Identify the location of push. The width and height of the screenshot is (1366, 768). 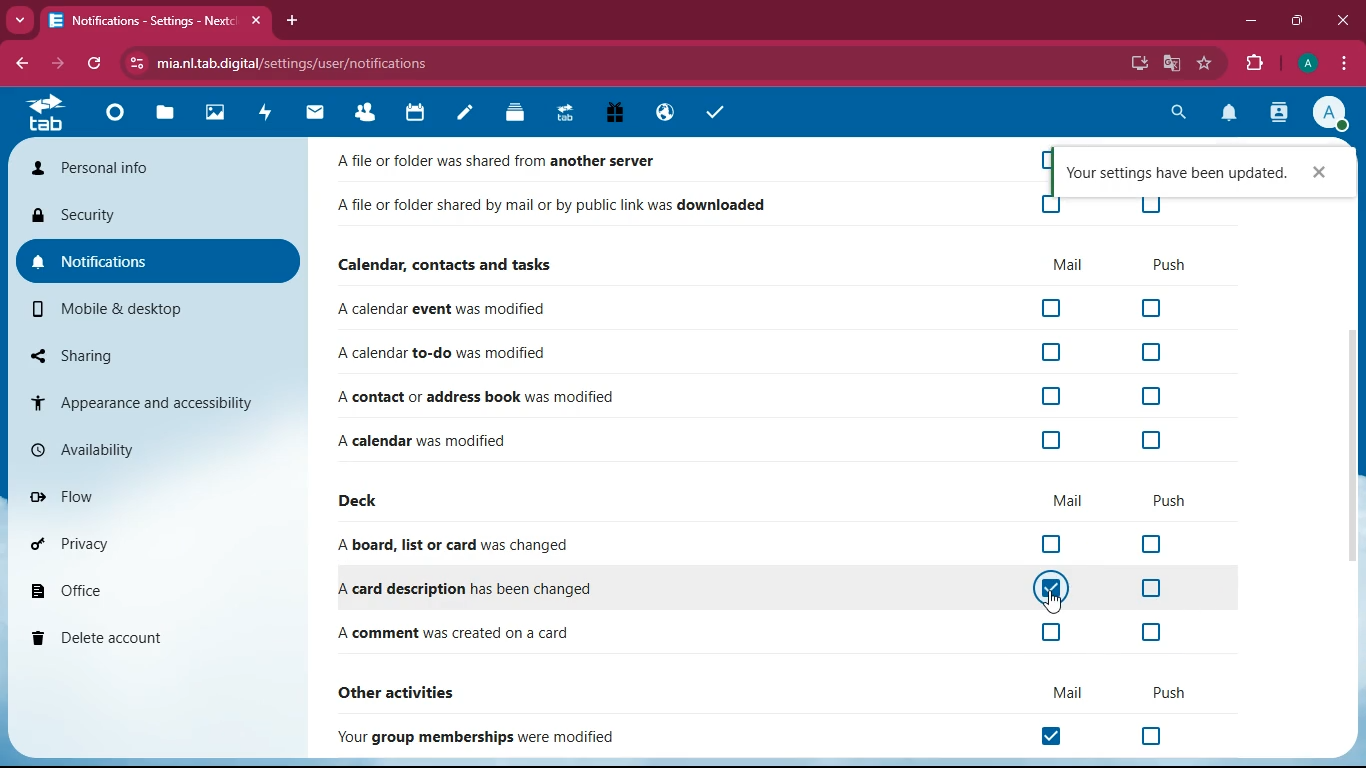
(1163, 691).